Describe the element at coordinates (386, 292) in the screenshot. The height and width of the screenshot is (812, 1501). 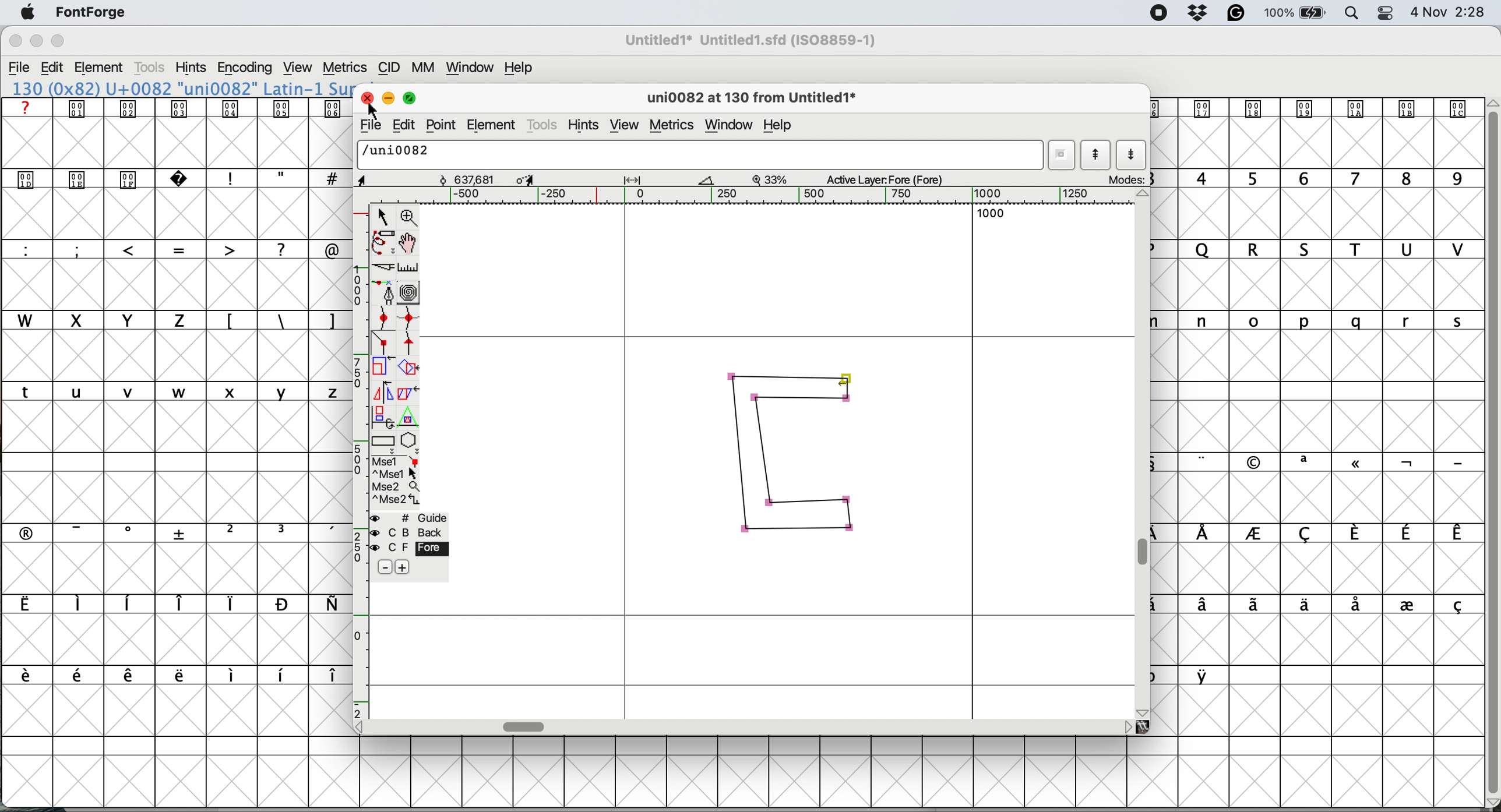
I see `add a point and drag out its control points` at that location.